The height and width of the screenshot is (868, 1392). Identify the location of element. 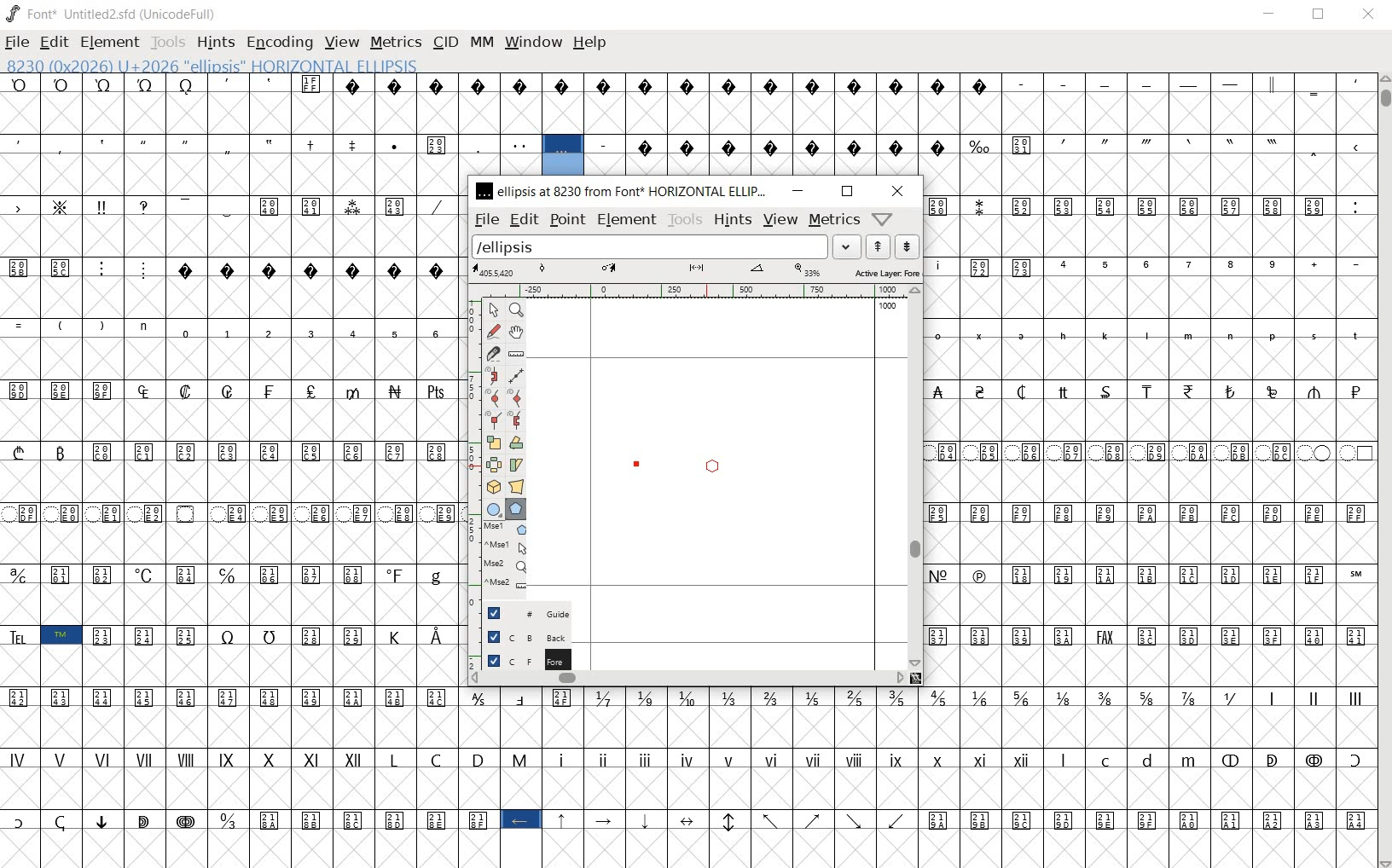
(626, 219).